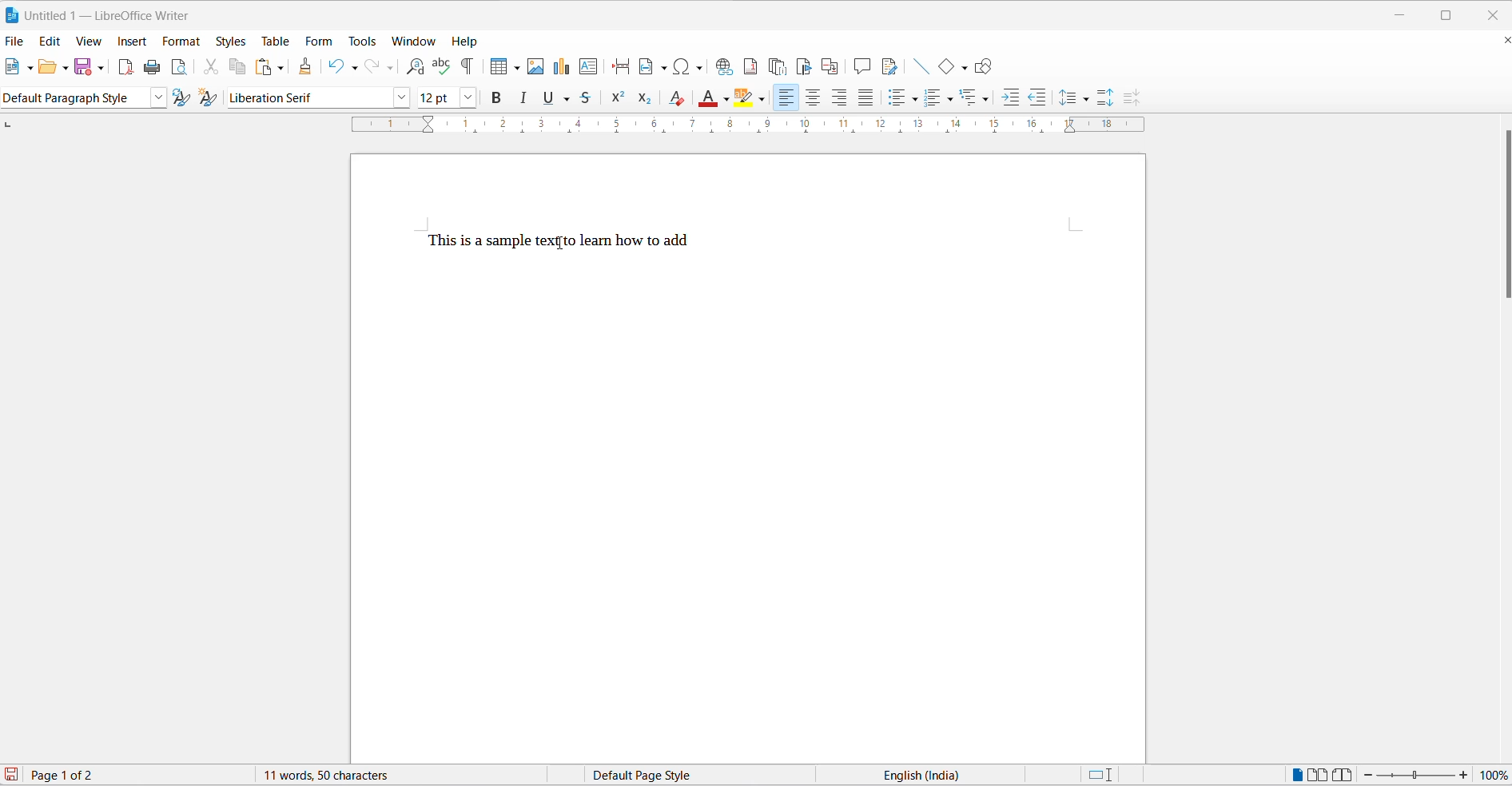  Describe the element at coordinates (726, 67) in the screenshot. I see `insert hyperlink` at that location.